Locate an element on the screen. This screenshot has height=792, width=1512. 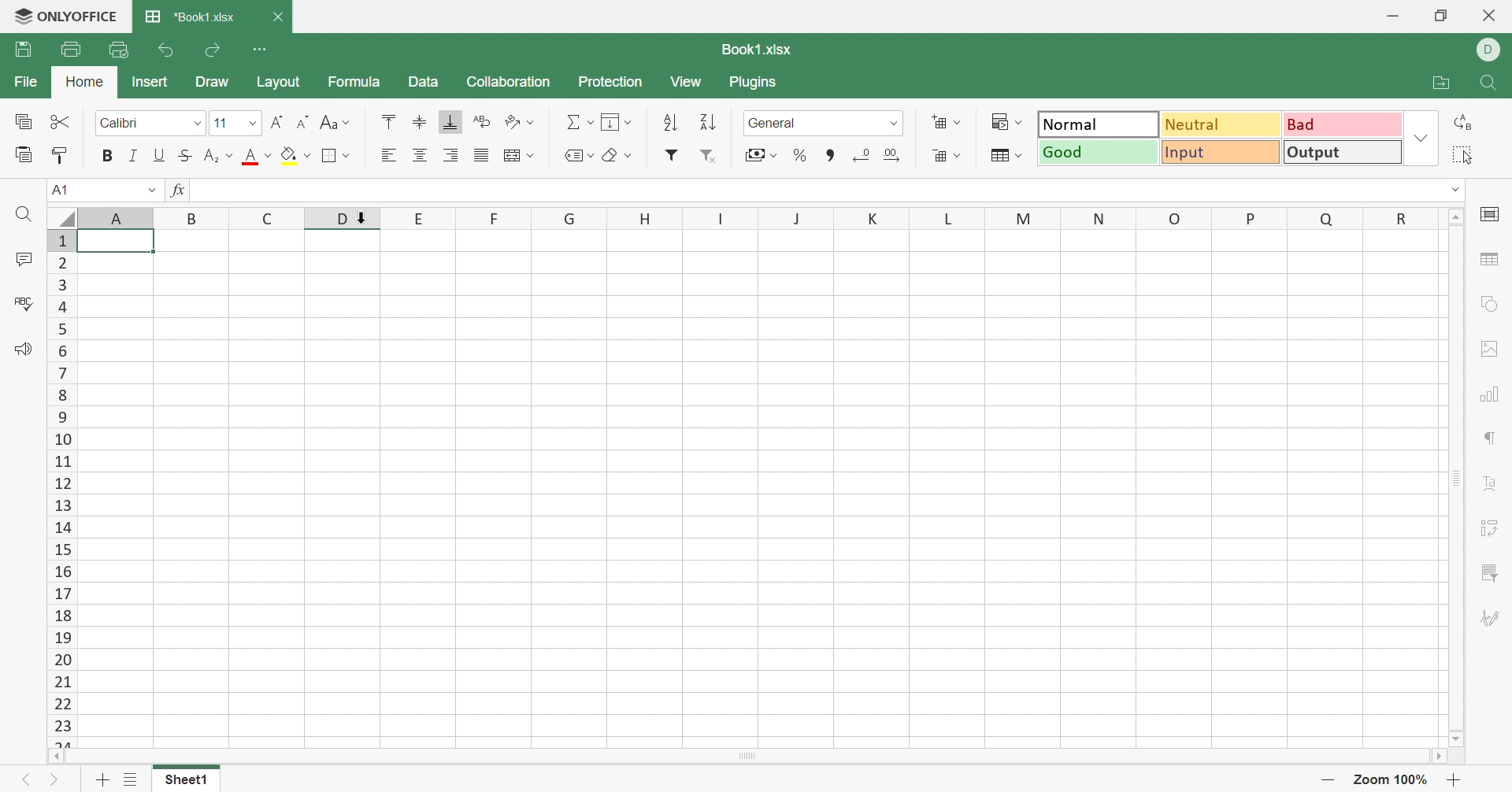
Slide settings is located at coordinates (1488, 218).